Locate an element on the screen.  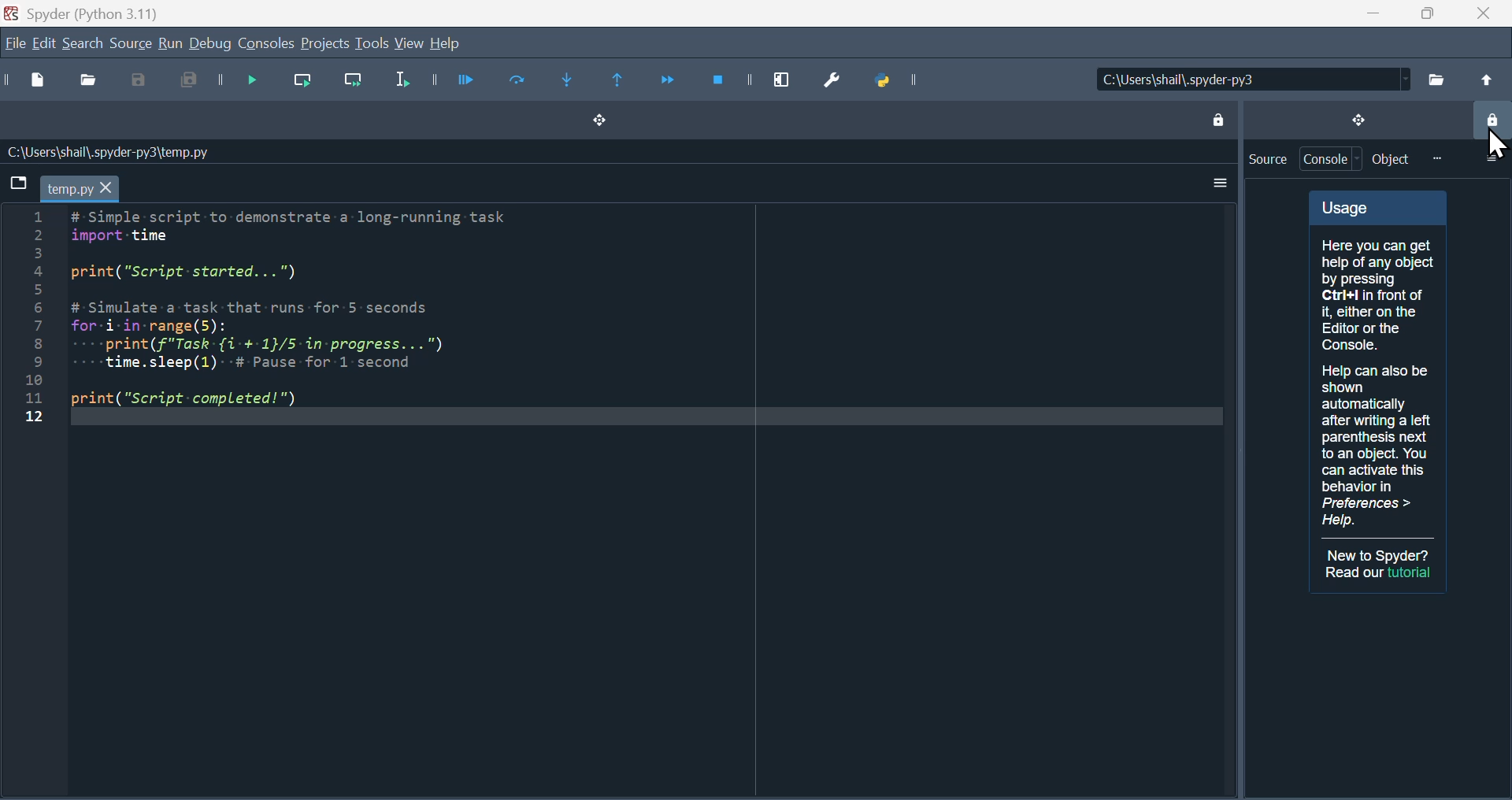
Read our is located at coordinates (1354, 572).